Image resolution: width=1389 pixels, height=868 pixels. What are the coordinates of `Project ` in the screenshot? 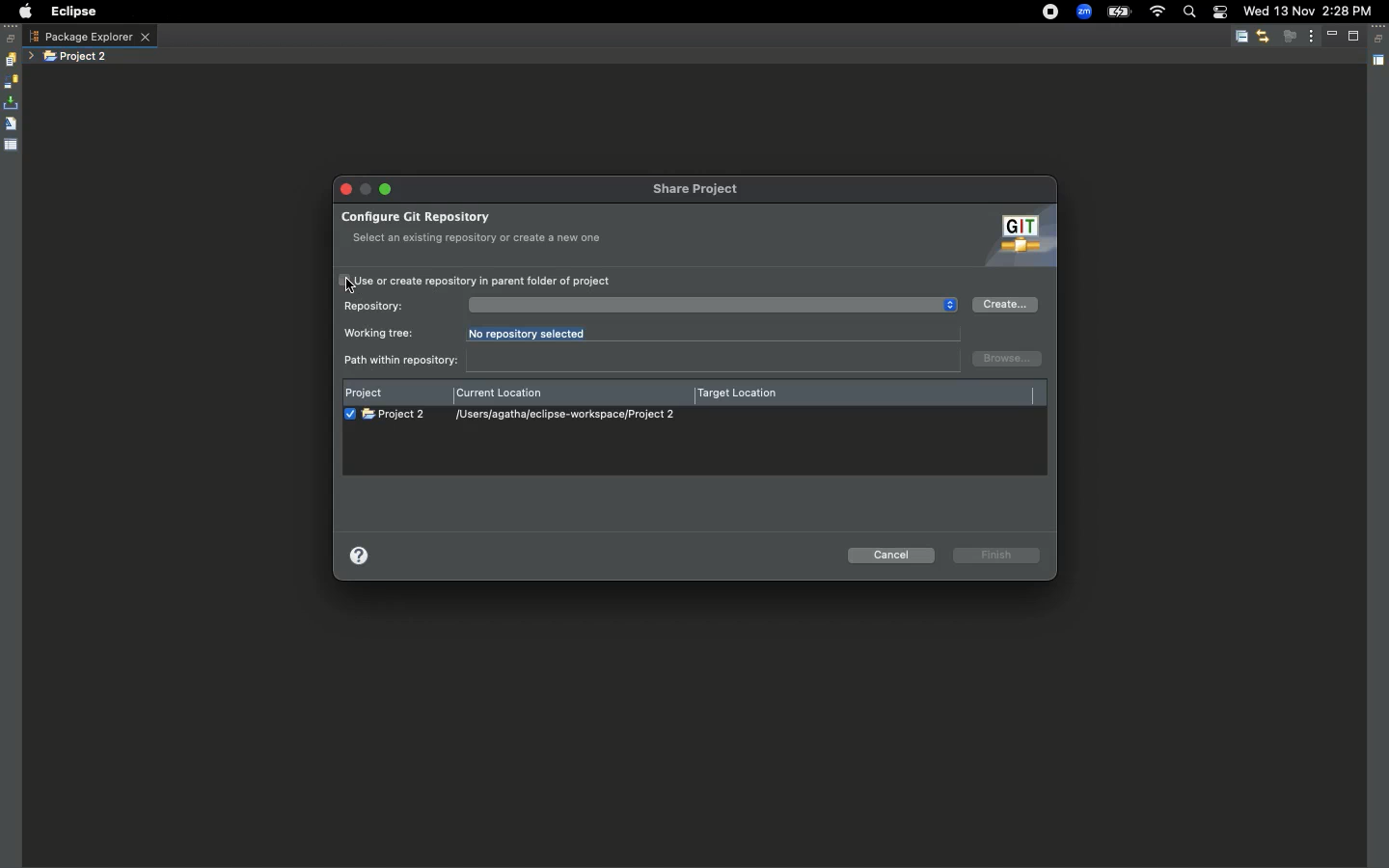 It's located at (368, 391).